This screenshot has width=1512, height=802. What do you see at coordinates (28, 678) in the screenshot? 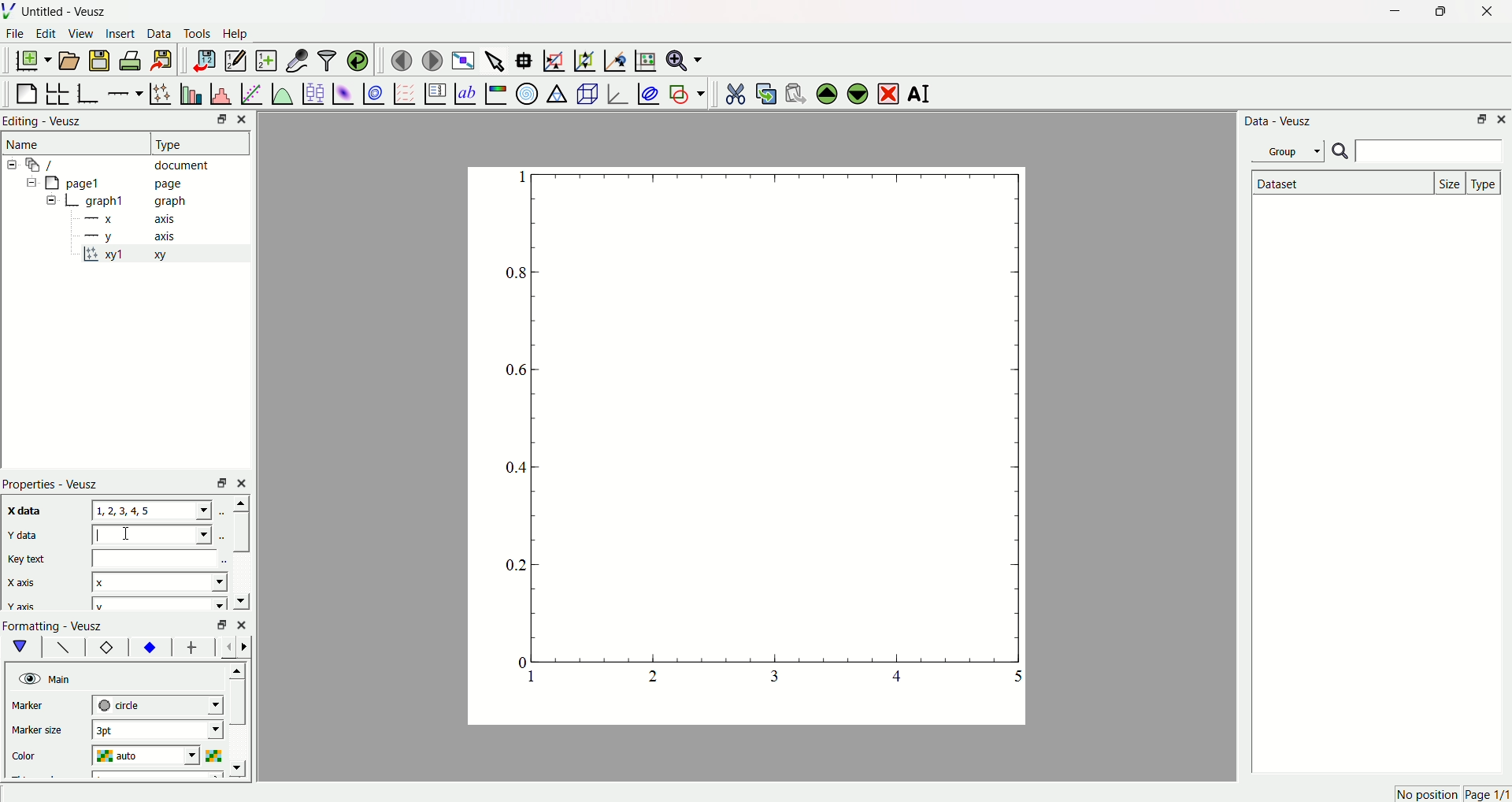
I see `hide/unhide` at bounding box center [28, 678].